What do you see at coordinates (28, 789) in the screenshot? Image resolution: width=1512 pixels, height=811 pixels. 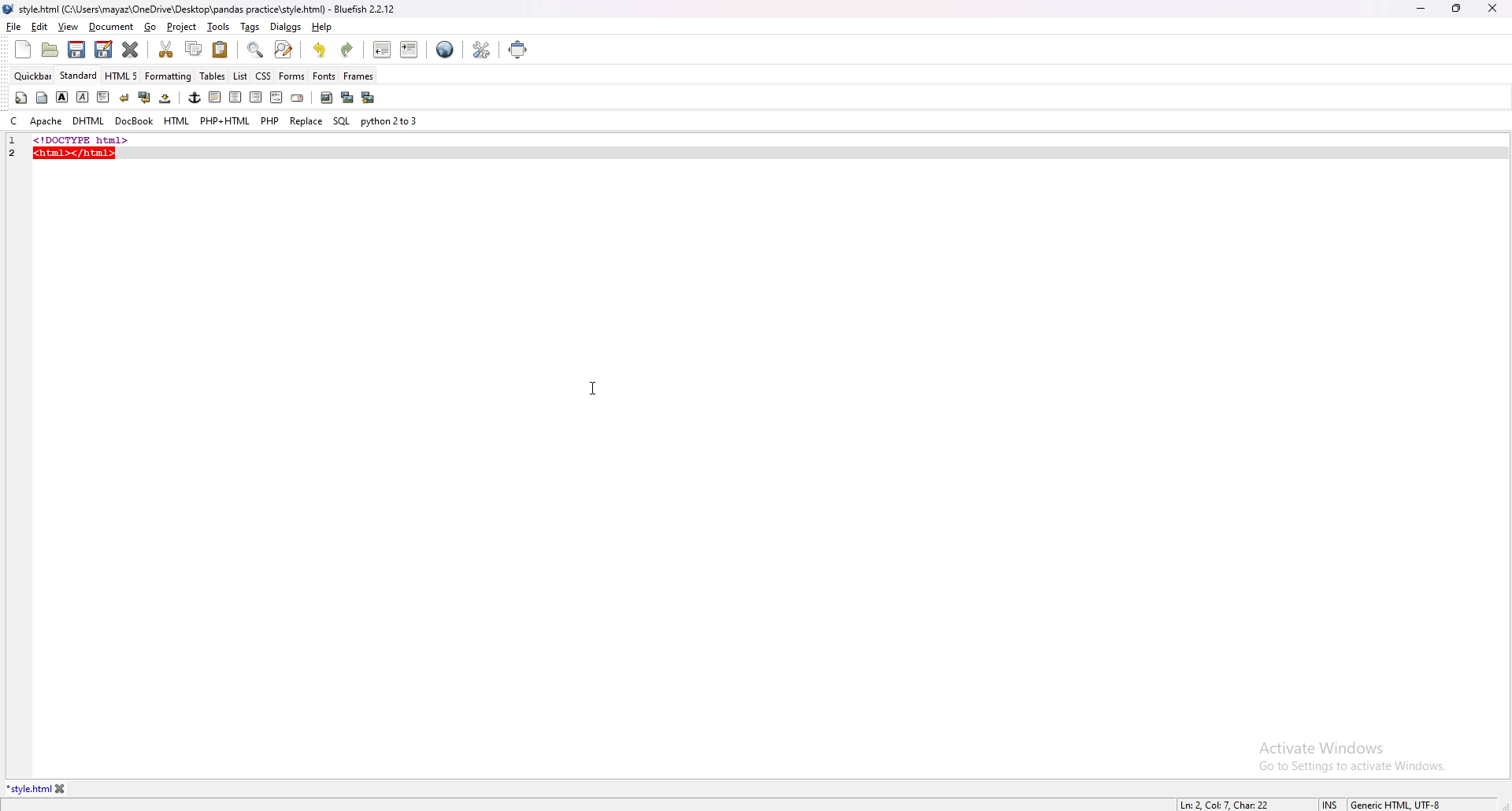 I see `tab` at bounding box center [28, 789].